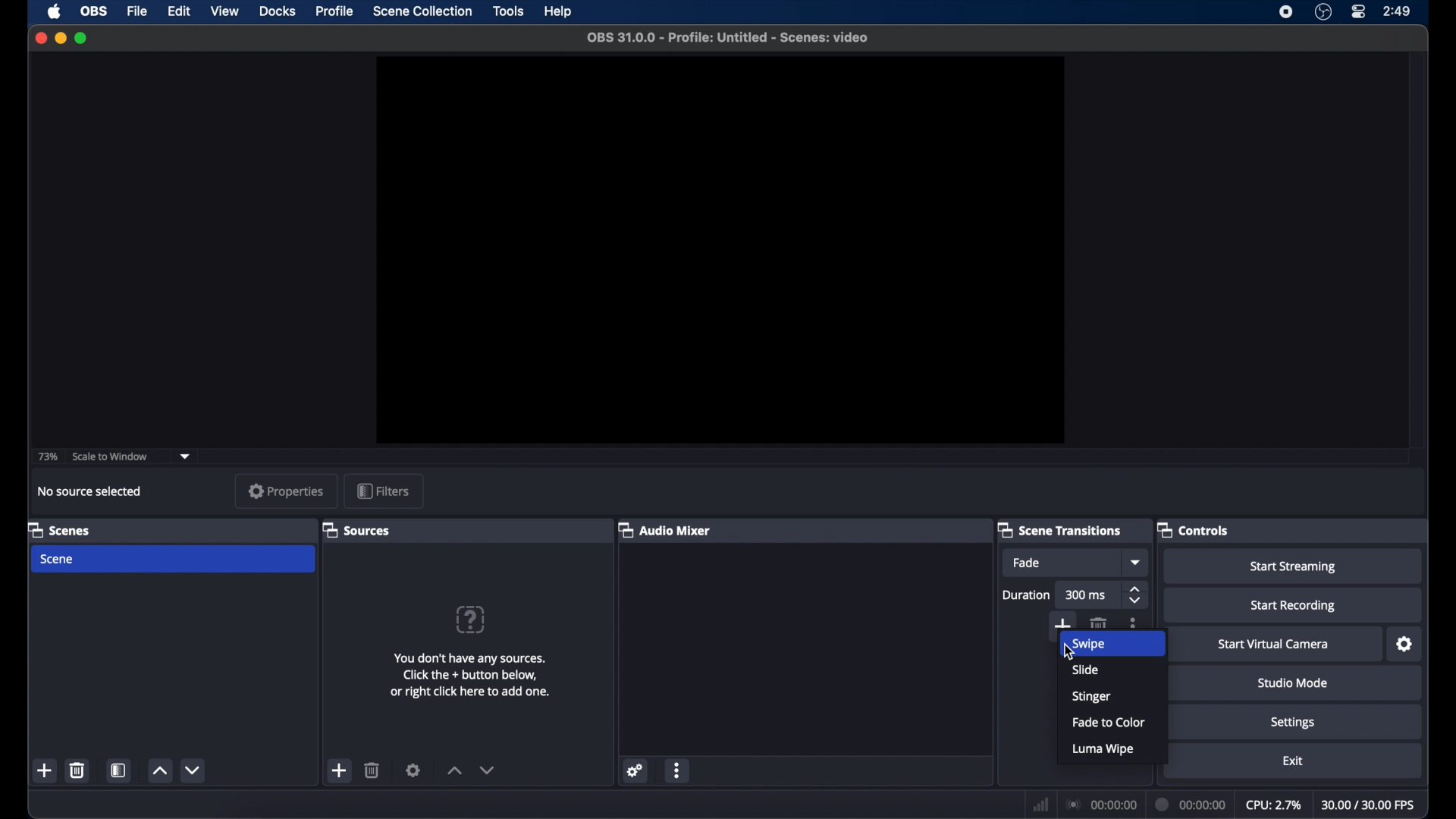 The height and width of the screenshot is (819, 1456). I want to click on help, so click(560, 11).